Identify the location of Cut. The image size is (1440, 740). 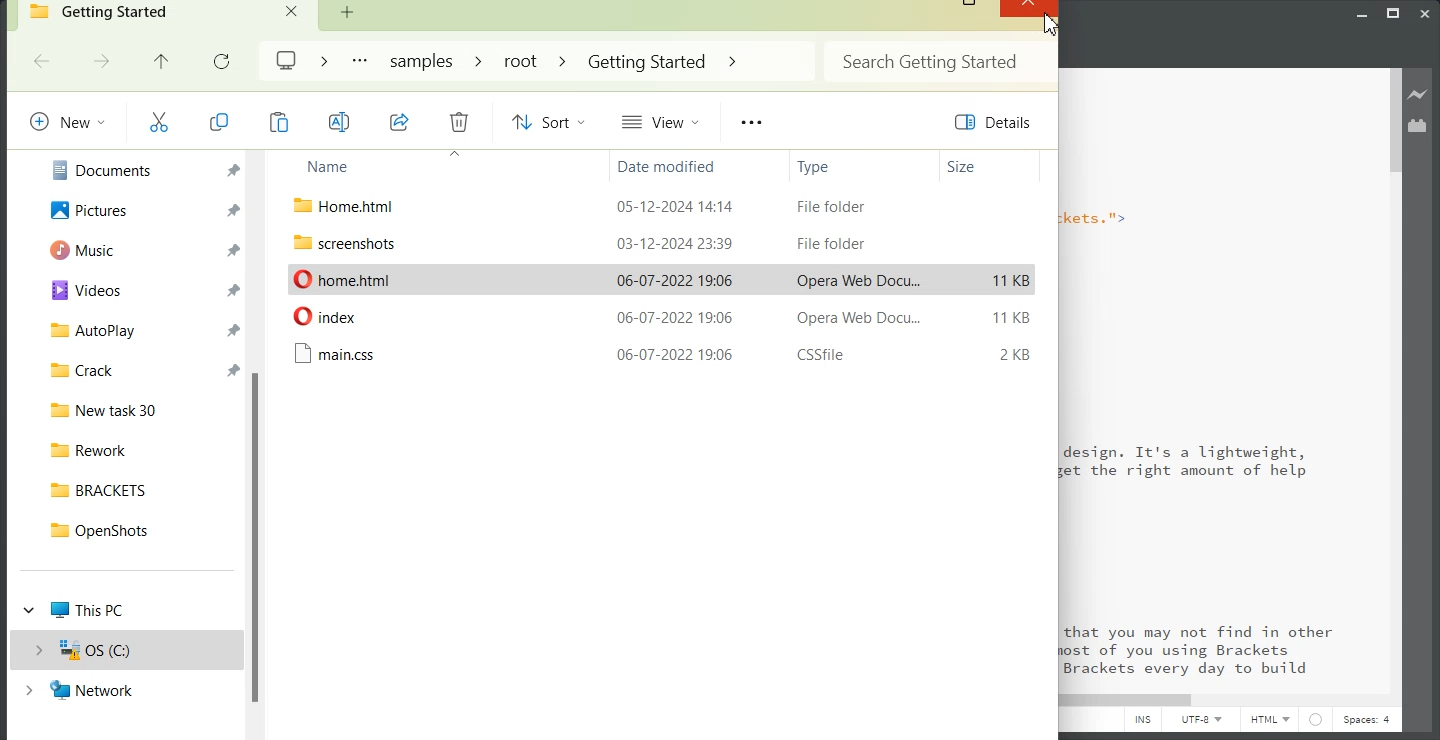
(159, 122).